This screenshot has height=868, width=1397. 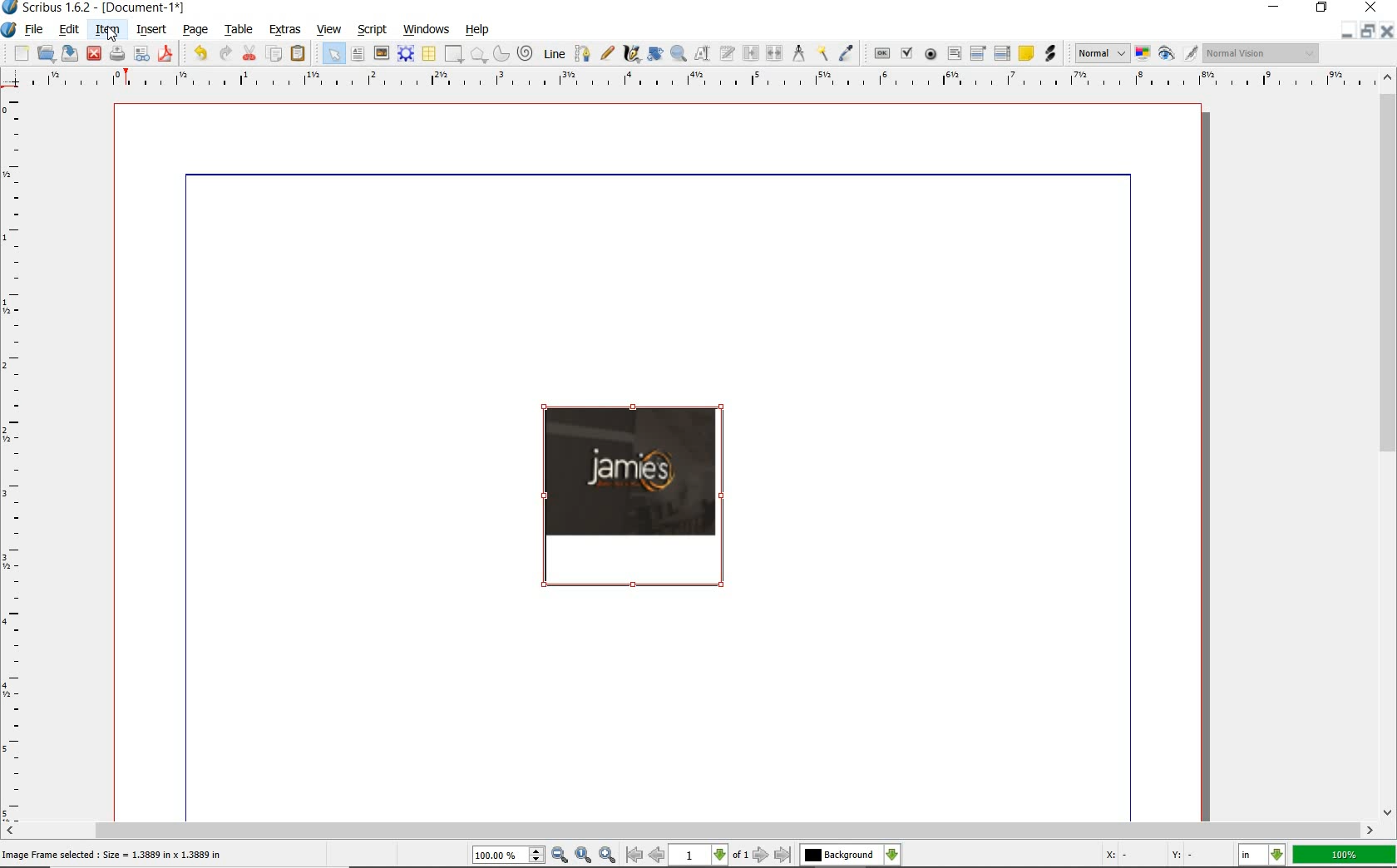 I want to click on Cursor Coordinates, so click(x=1159, y=857).